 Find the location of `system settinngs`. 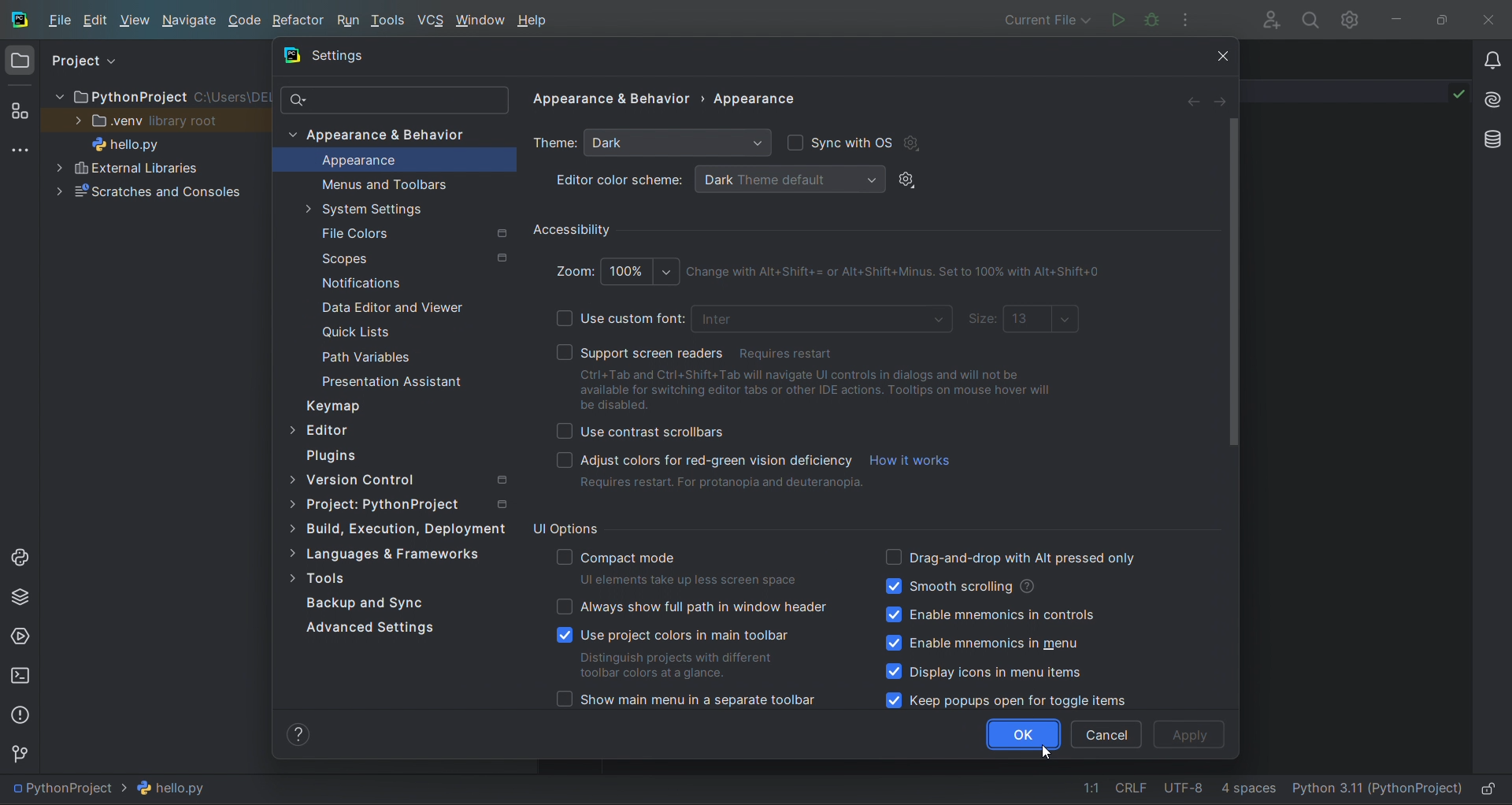

system settinngs is located at coordinates (398, 210).